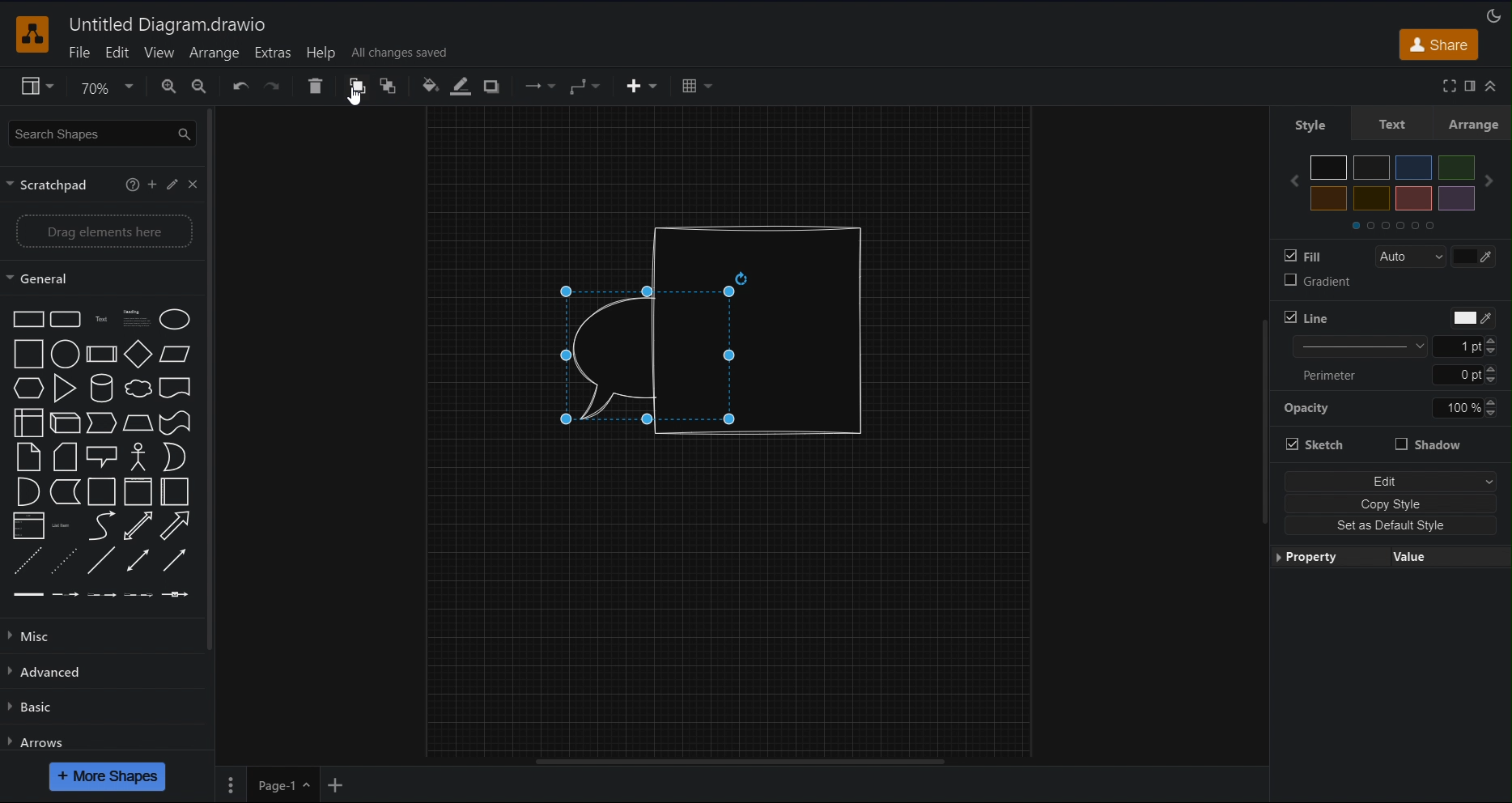 Image resolution: width=1512 pixels, height=803 pixels. I want to click on Basic, so click(102, 706).